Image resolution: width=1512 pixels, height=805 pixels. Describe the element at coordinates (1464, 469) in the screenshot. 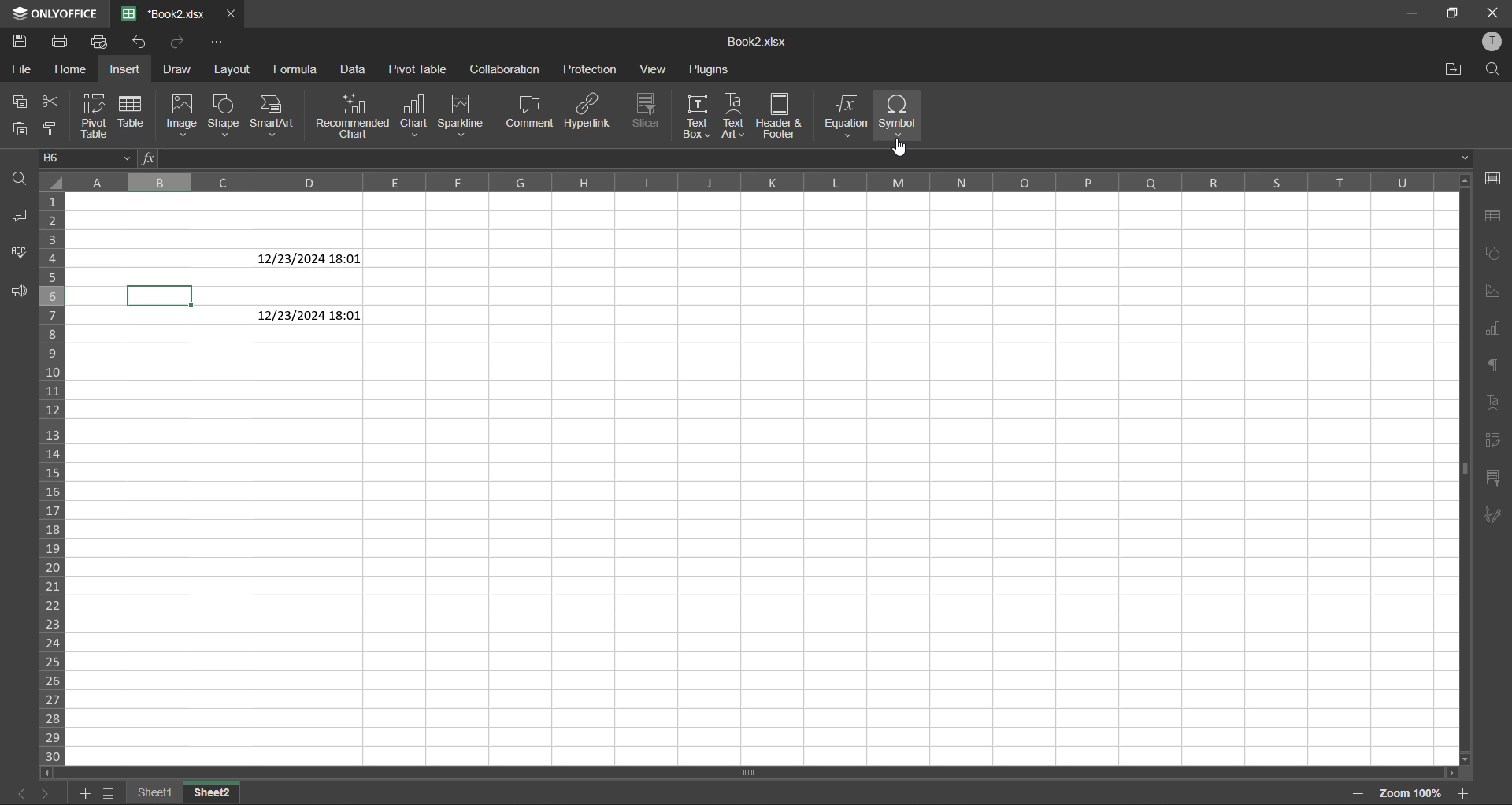

I see `scrollbar` at that location.